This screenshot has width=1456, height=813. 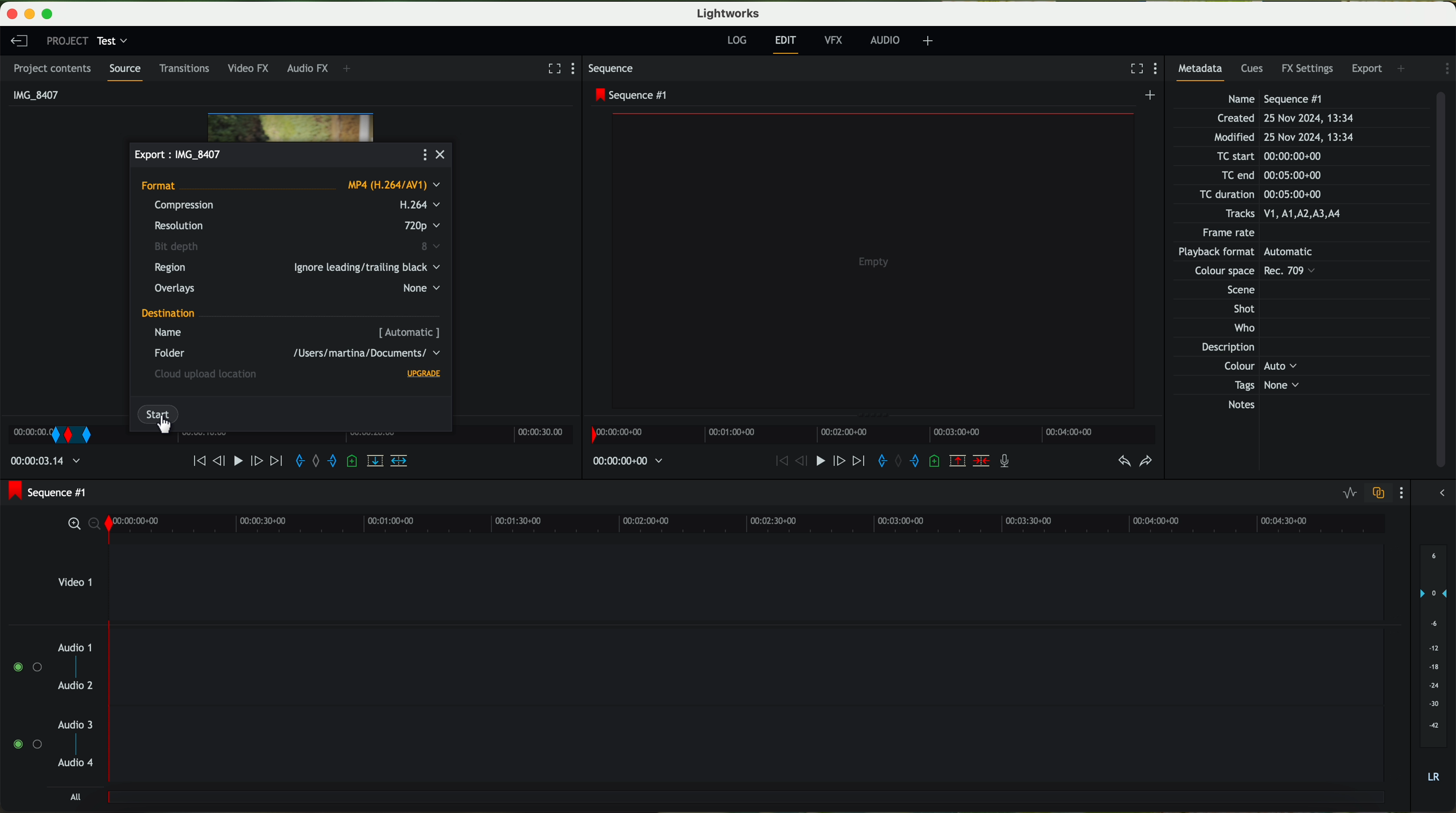 What do you see at coordinates (1308, 67) in the screenshot?
I see `FX settings` at bounding box center [1308, 67].